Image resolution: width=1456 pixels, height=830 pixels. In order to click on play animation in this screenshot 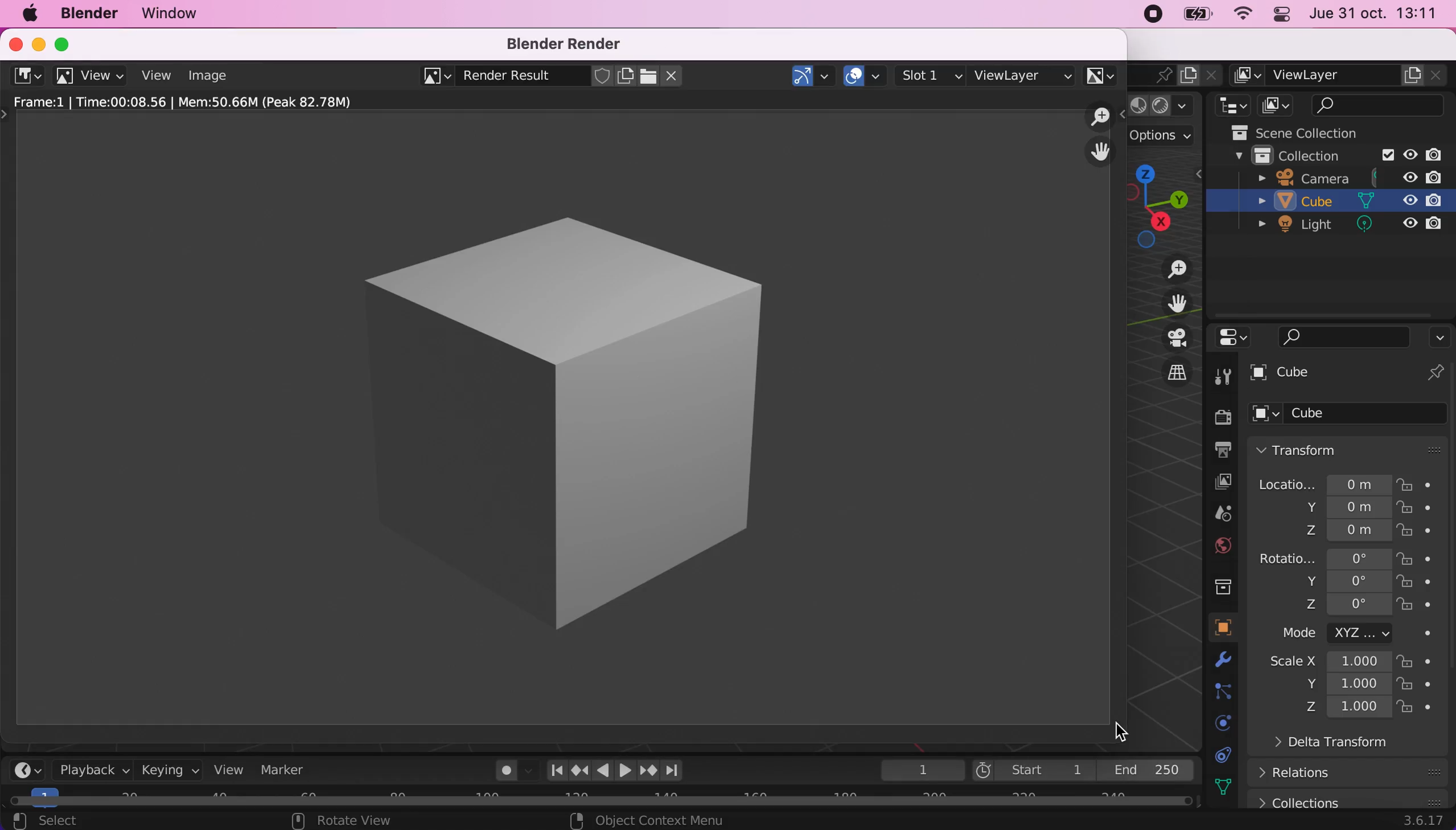, I will do `click(625, 770)`.